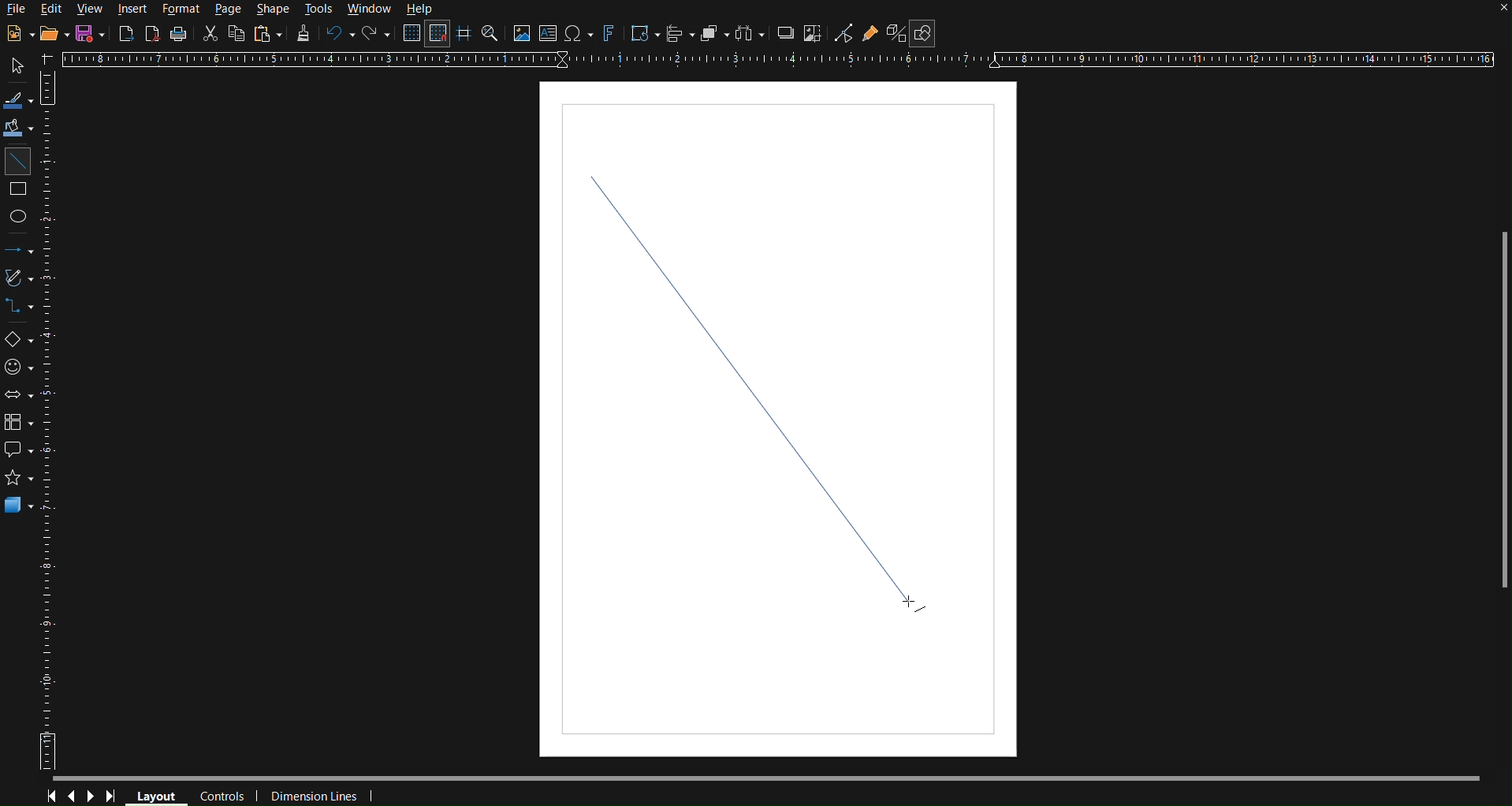  Describe the element at coordinates (438, 34) in the screenshot. I see `Snap to Grid` at that location.